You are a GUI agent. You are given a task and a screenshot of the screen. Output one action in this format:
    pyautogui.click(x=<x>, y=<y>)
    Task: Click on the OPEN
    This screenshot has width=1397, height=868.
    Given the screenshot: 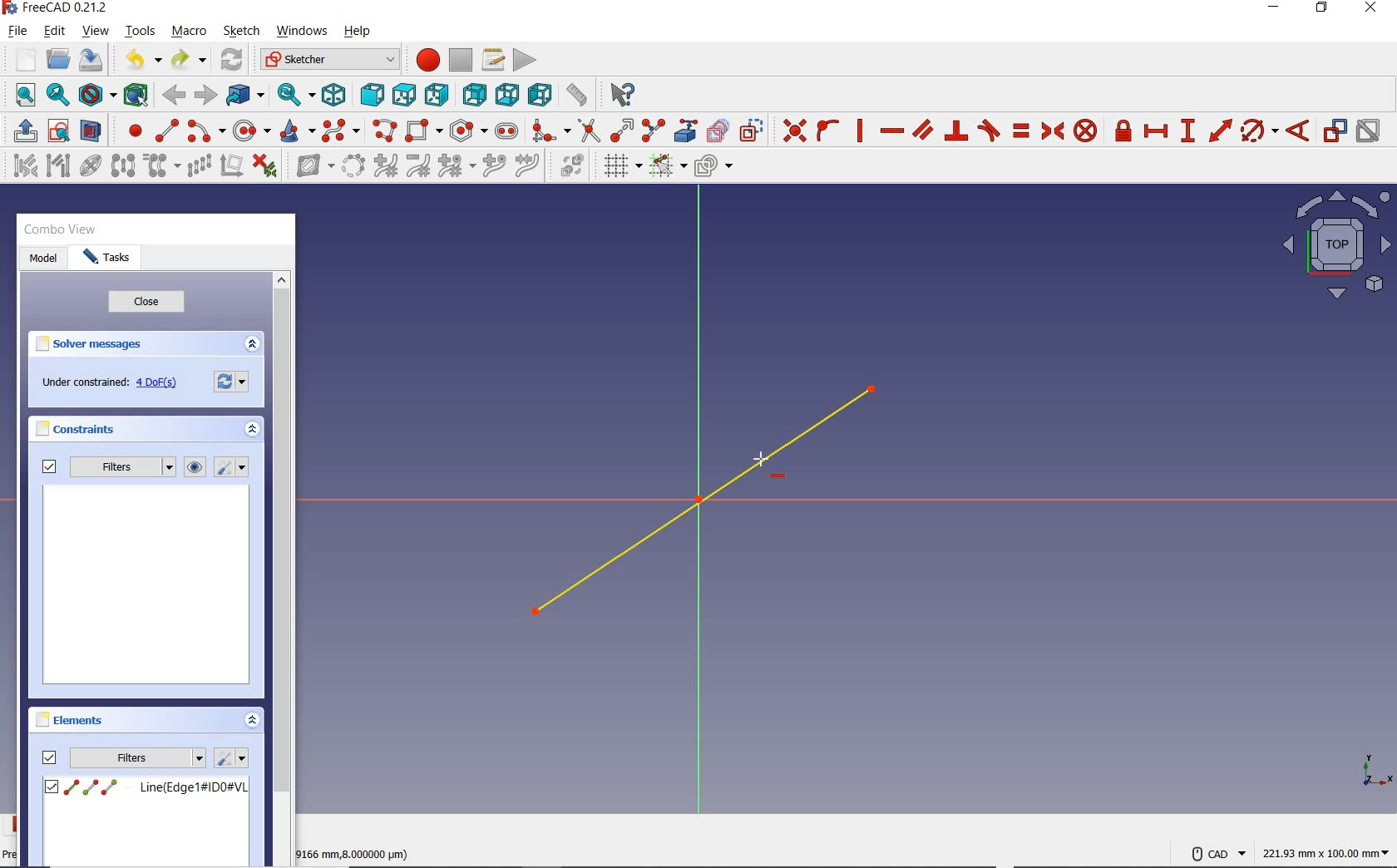 What is the action you would take?
    pyautogui.click(x=58, y=59)
    